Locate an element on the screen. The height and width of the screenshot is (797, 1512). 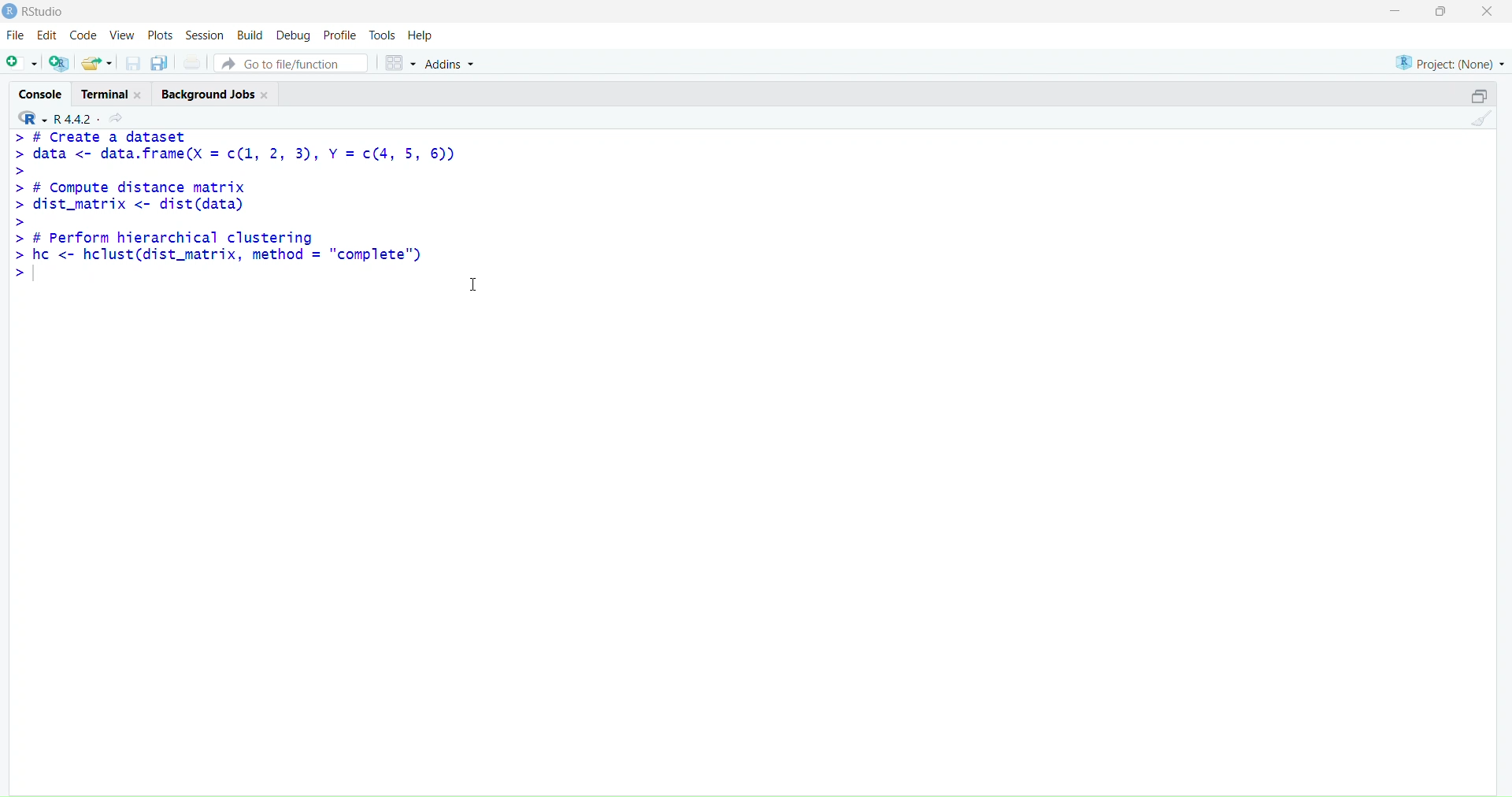
R is located at coordinates (28, 119).